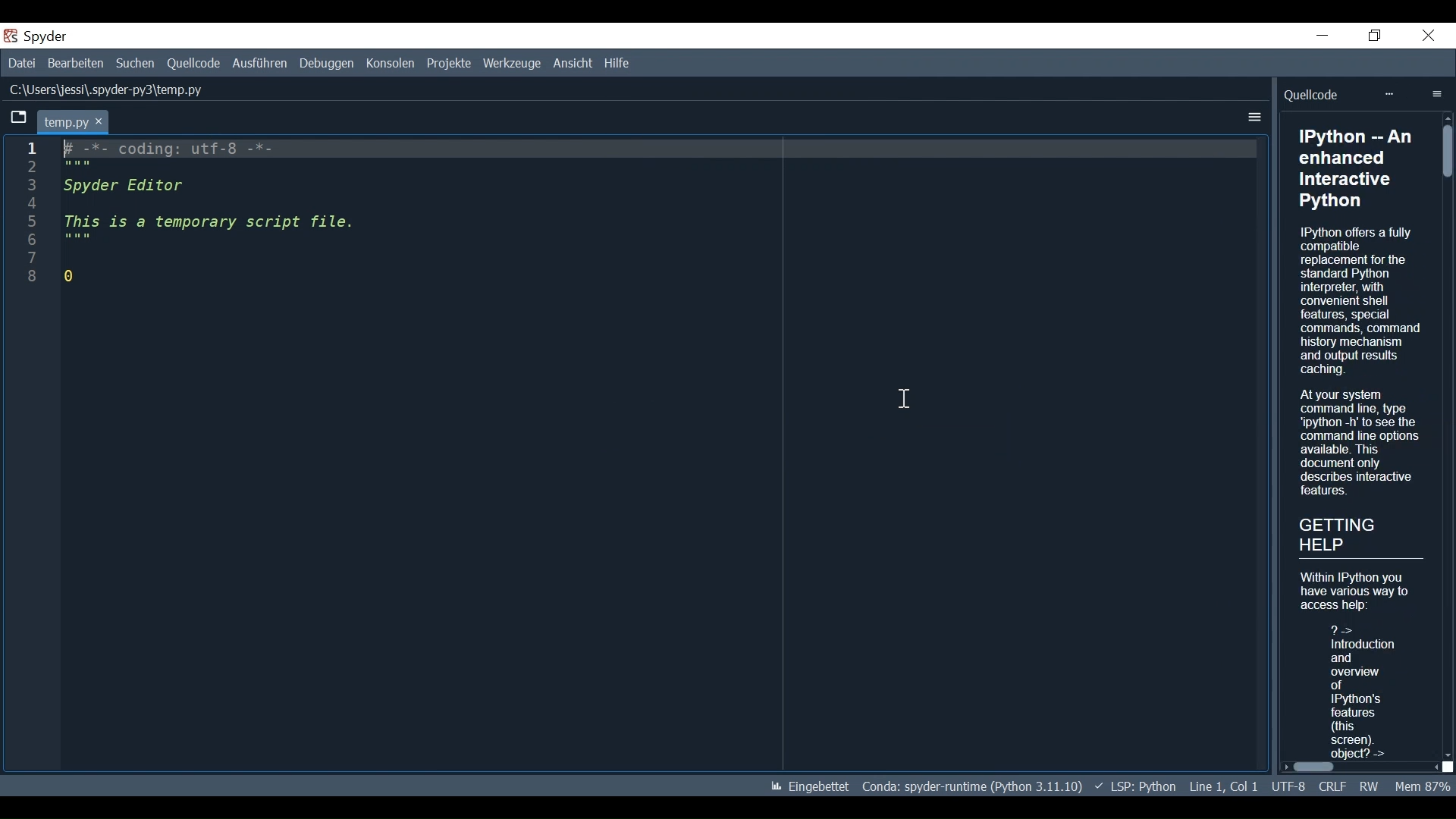  Describe the element at coordinates (513, 64) in the screenshot. I see `Tools` at that location.